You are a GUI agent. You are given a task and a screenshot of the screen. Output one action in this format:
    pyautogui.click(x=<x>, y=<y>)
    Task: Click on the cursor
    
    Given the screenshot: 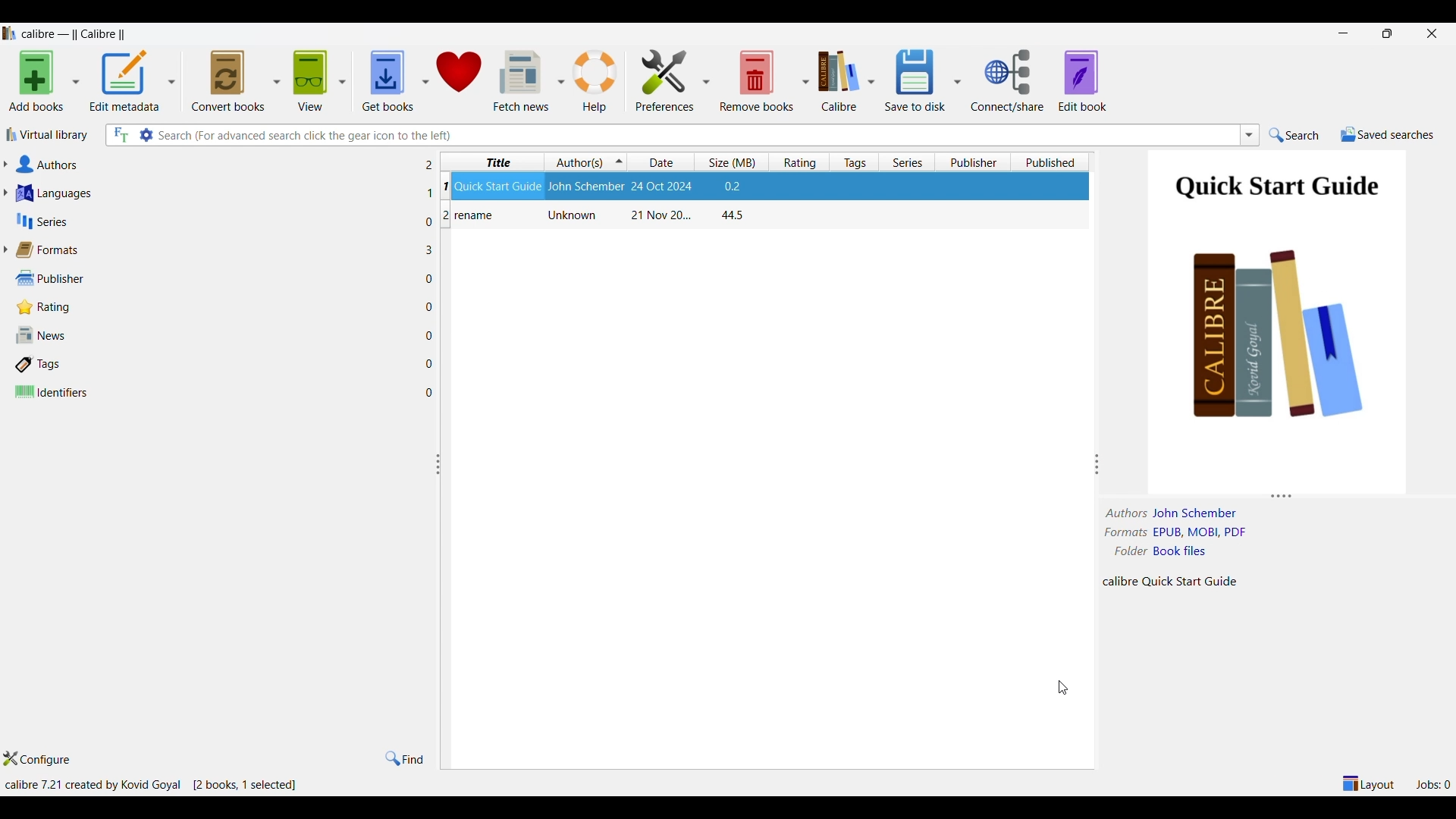 What is the action you would take?
    pyautogui.click(x=1066, y=691)
    